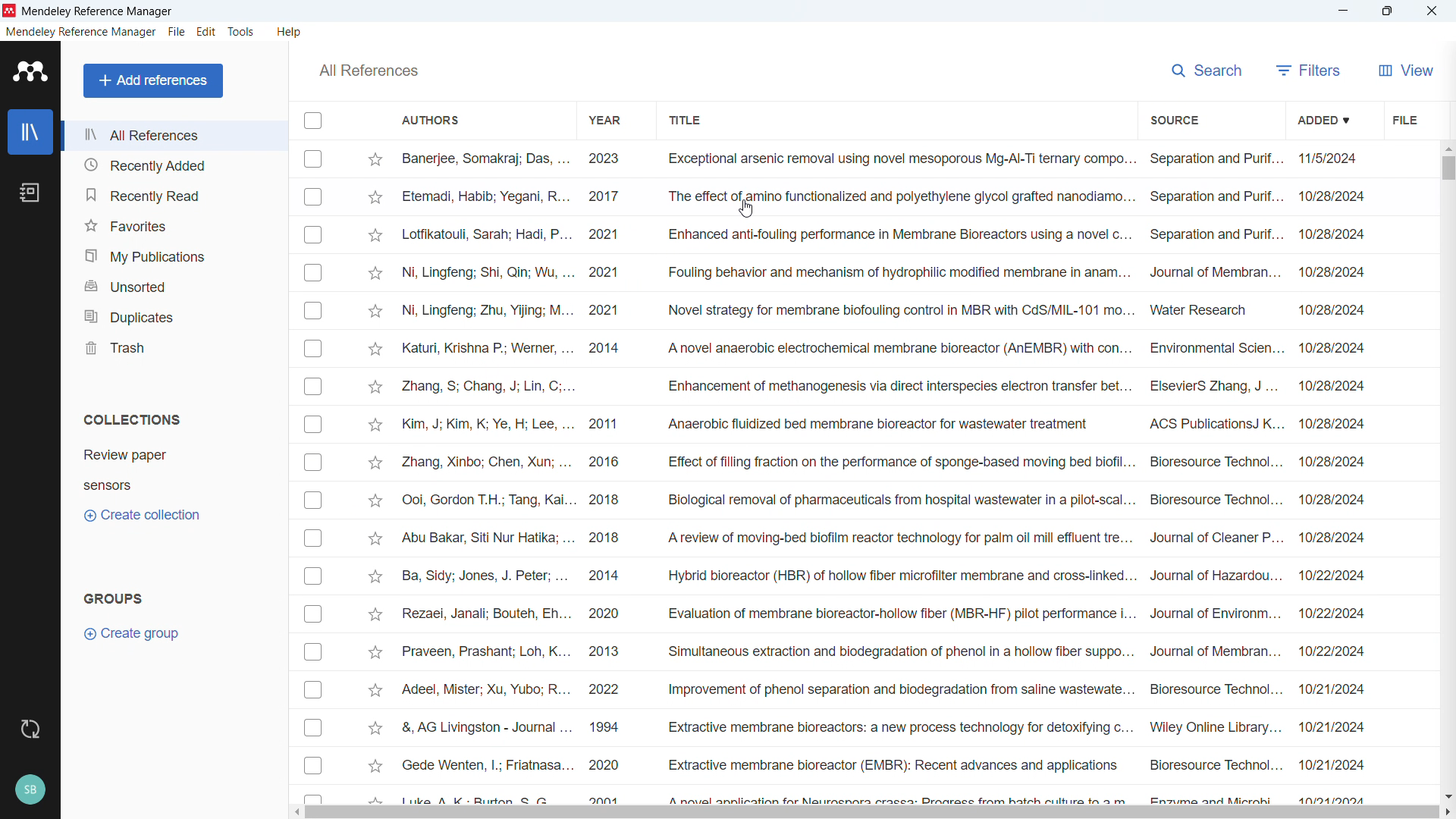 The width and height of the screenshot is (1456, 819). Describe the element at coordinates (30, 790) in the screenshot. I see `Profile ` at that location.